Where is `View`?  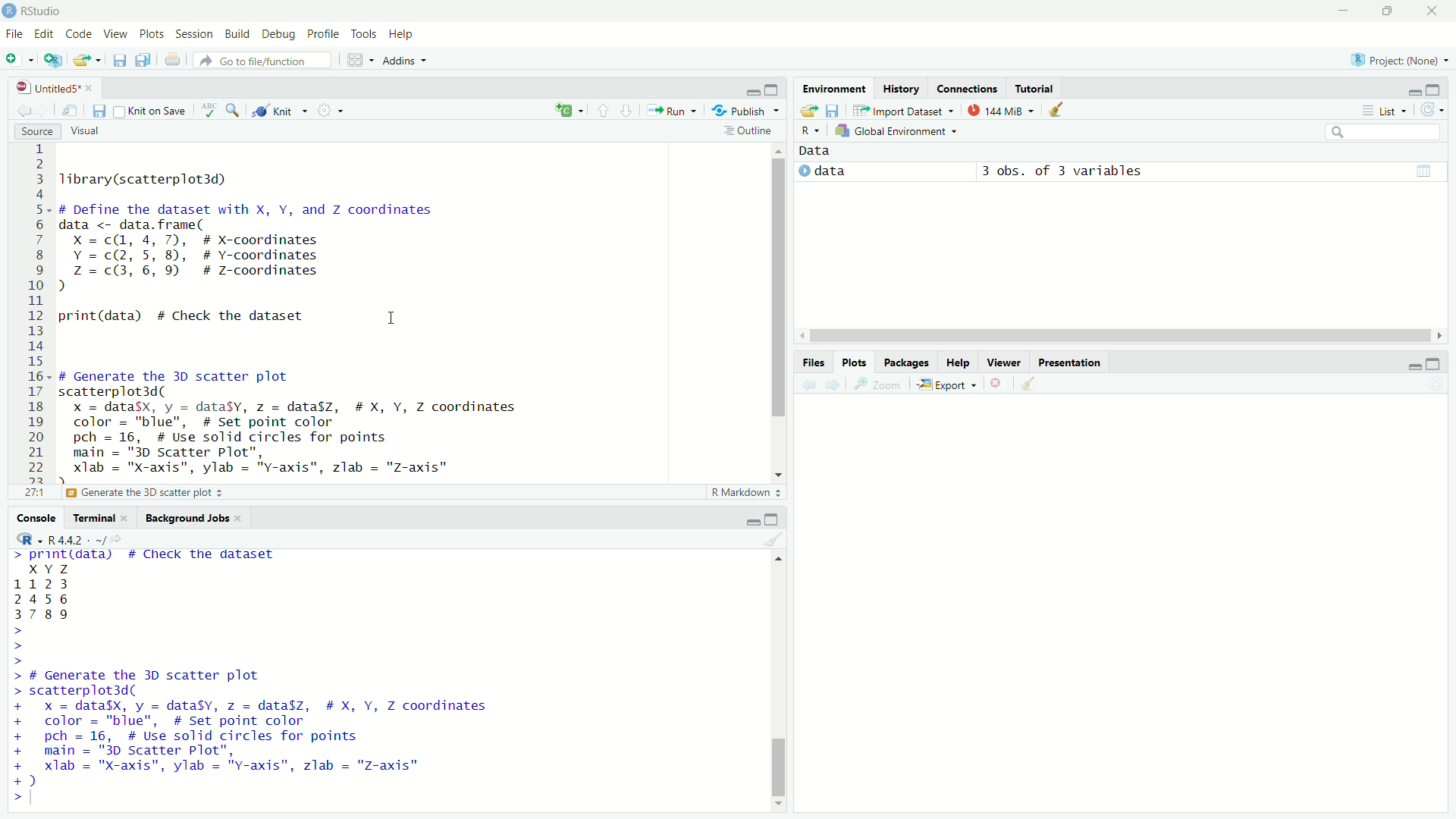 View is located at coordinates (115, 31).